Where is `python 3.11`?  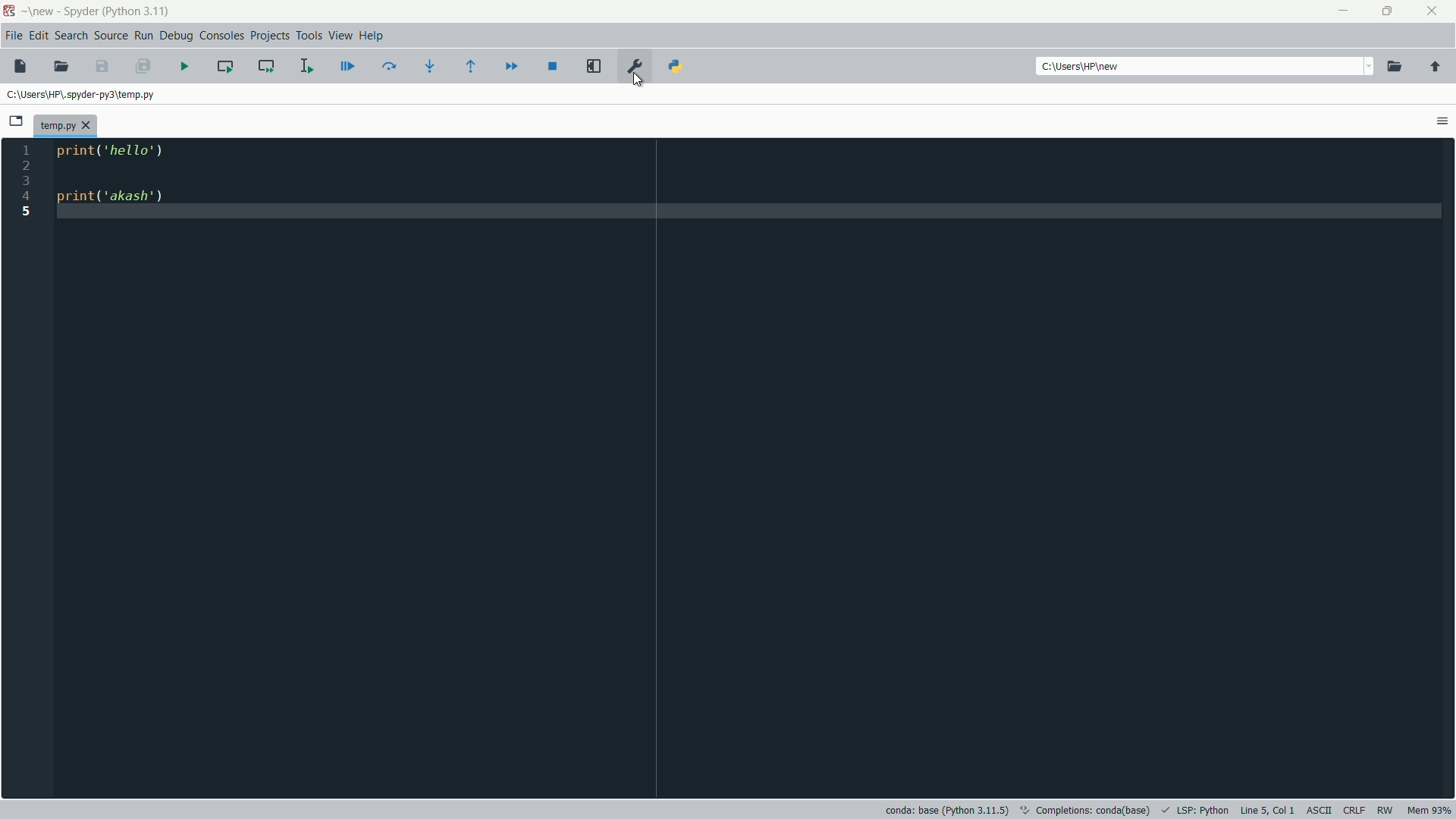 python 3.11 is located at coordinates (137, 11).